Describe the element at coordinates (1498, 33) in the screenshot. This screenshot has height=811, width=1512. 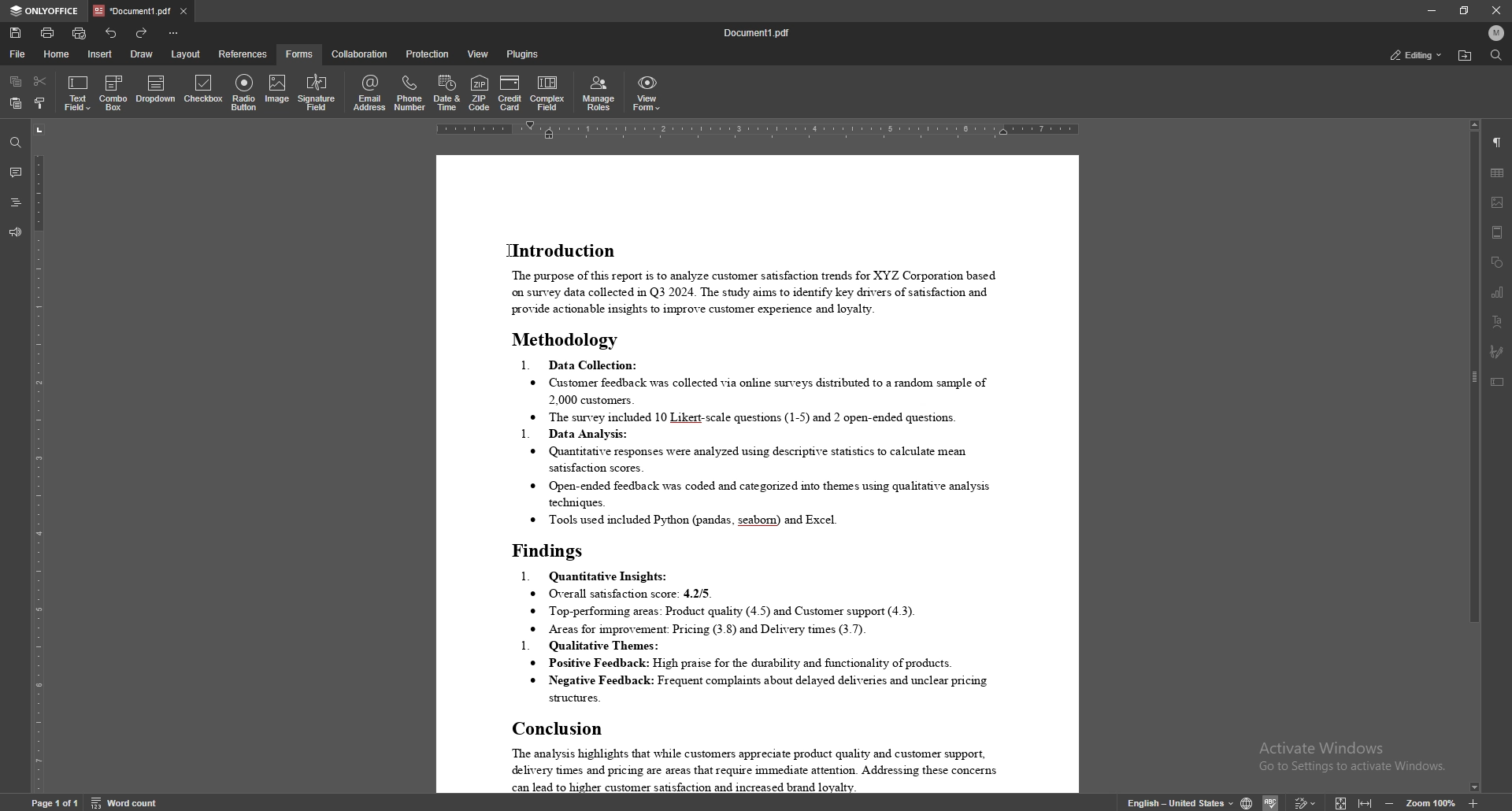
I see `profile` at that location.